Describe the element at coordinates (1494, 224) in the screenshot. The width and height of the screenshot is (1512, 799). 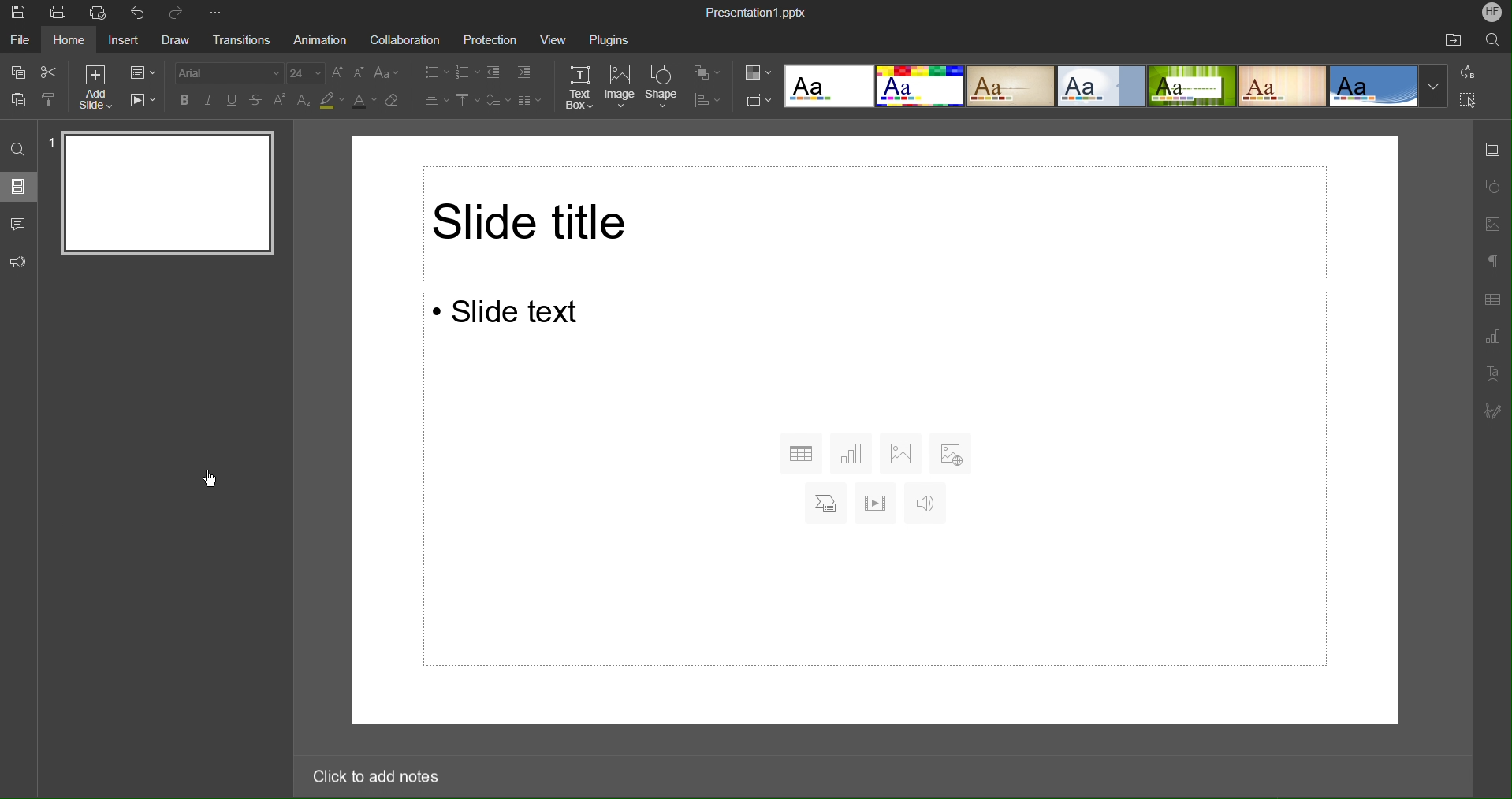
I see `Image Settings` at that location.